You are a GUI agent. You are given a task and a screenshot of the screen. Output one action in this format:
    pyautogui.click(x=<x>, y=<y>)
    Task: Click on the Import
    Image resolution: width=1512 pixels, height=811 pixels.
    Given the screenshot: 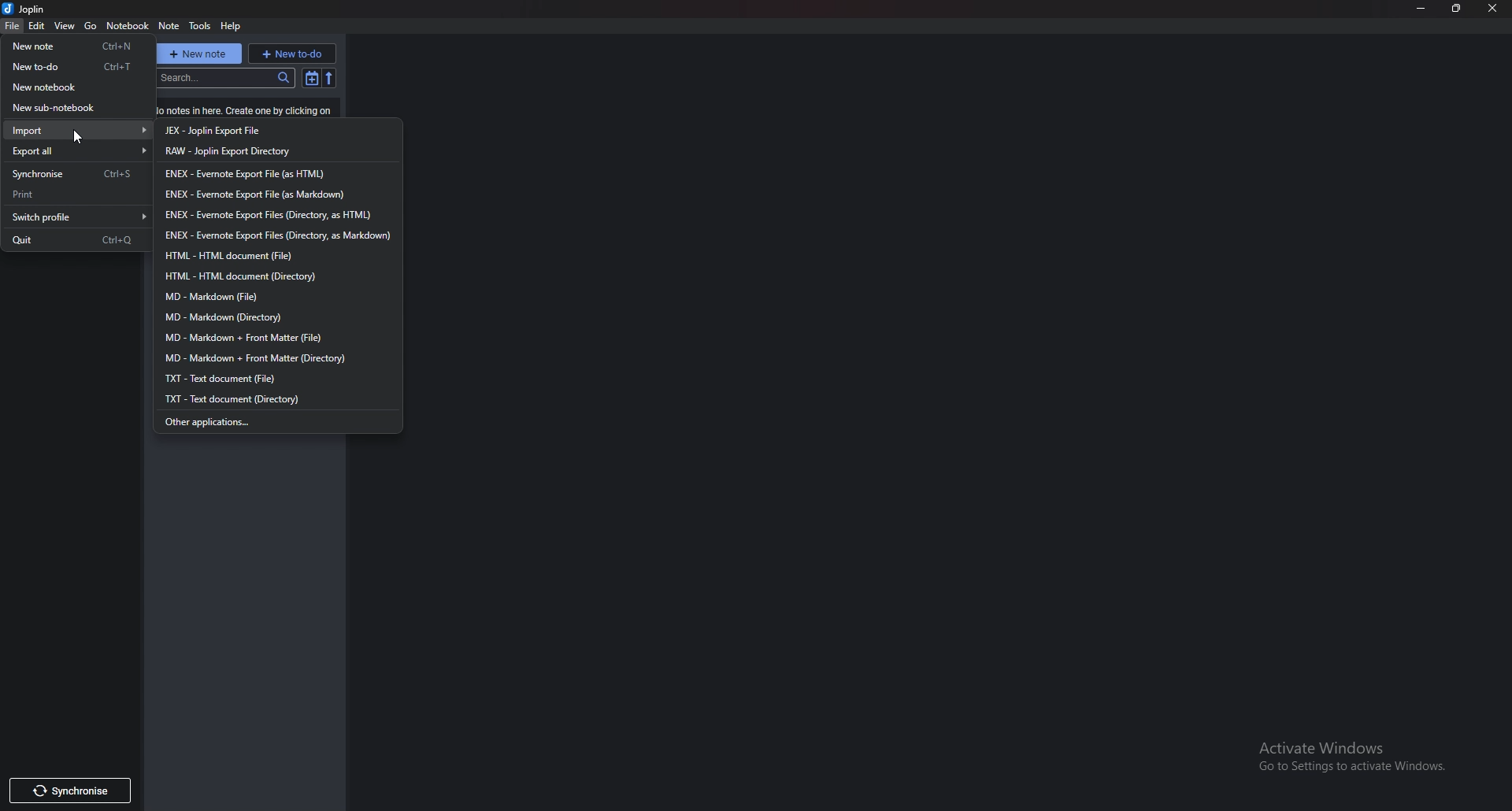 What is the action you would take?
    pyautogui.click(x=82, y=131)
    